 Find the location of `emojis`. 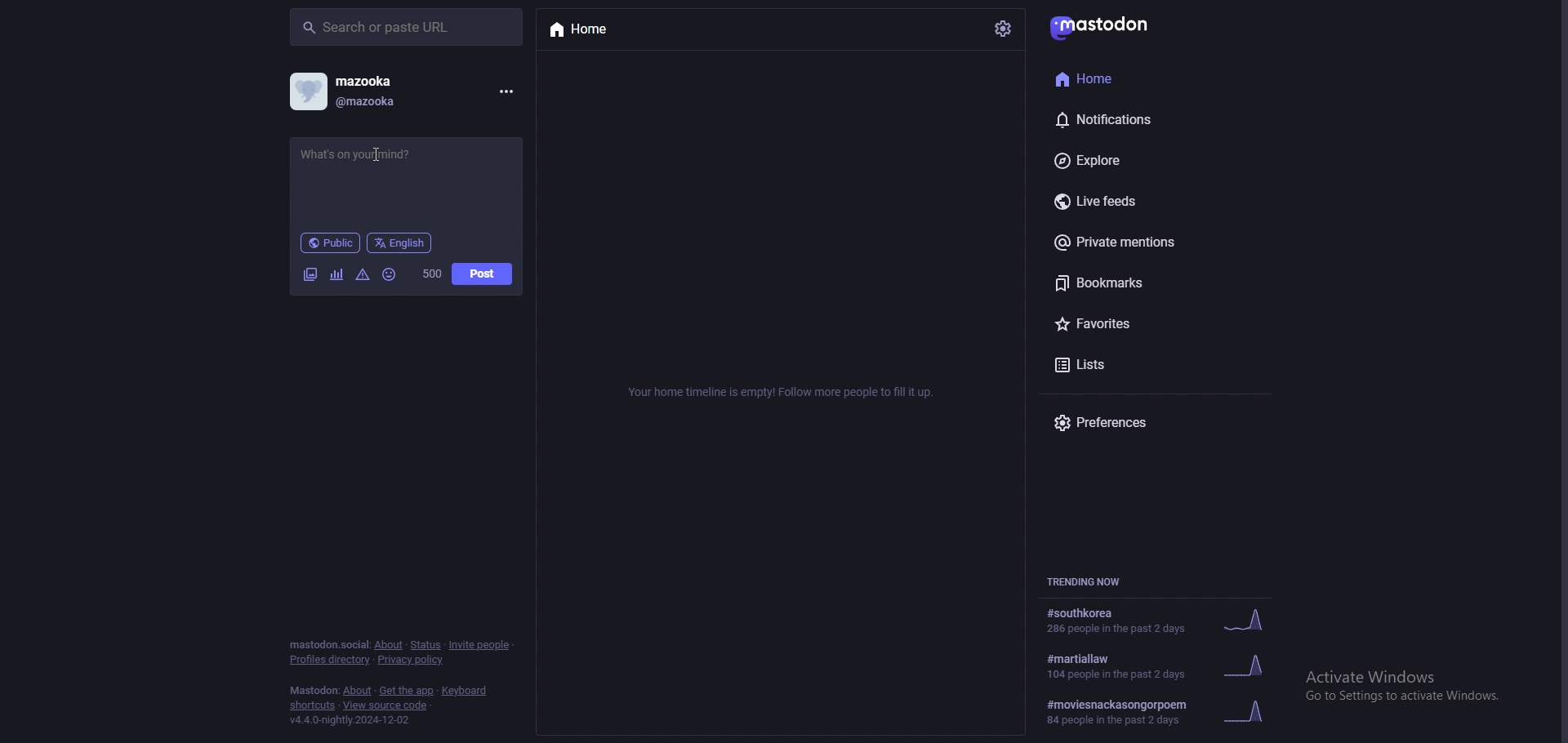

emojis is located at coordinates (390, 275).